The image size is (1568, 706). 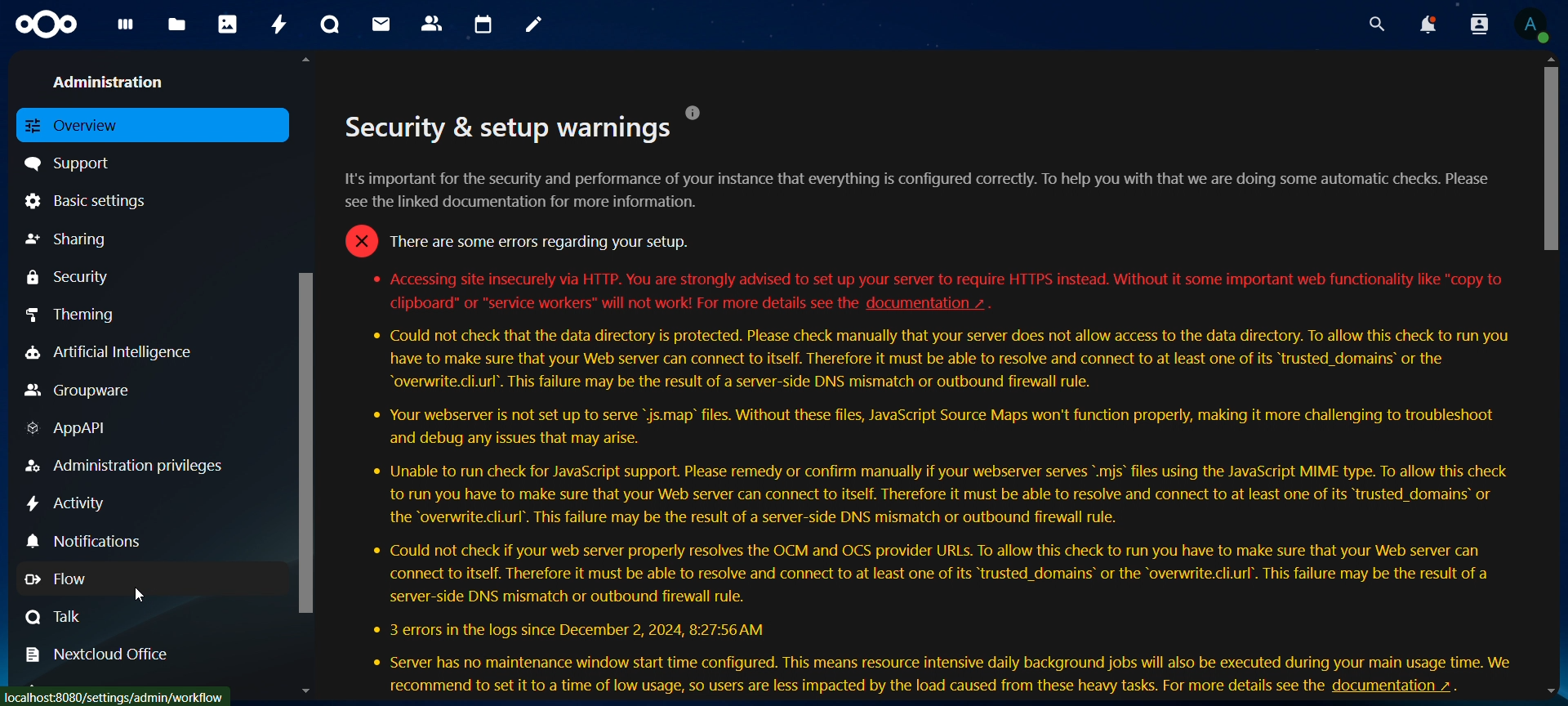 I want to click on scrollbar, so click(x=309, y=437).